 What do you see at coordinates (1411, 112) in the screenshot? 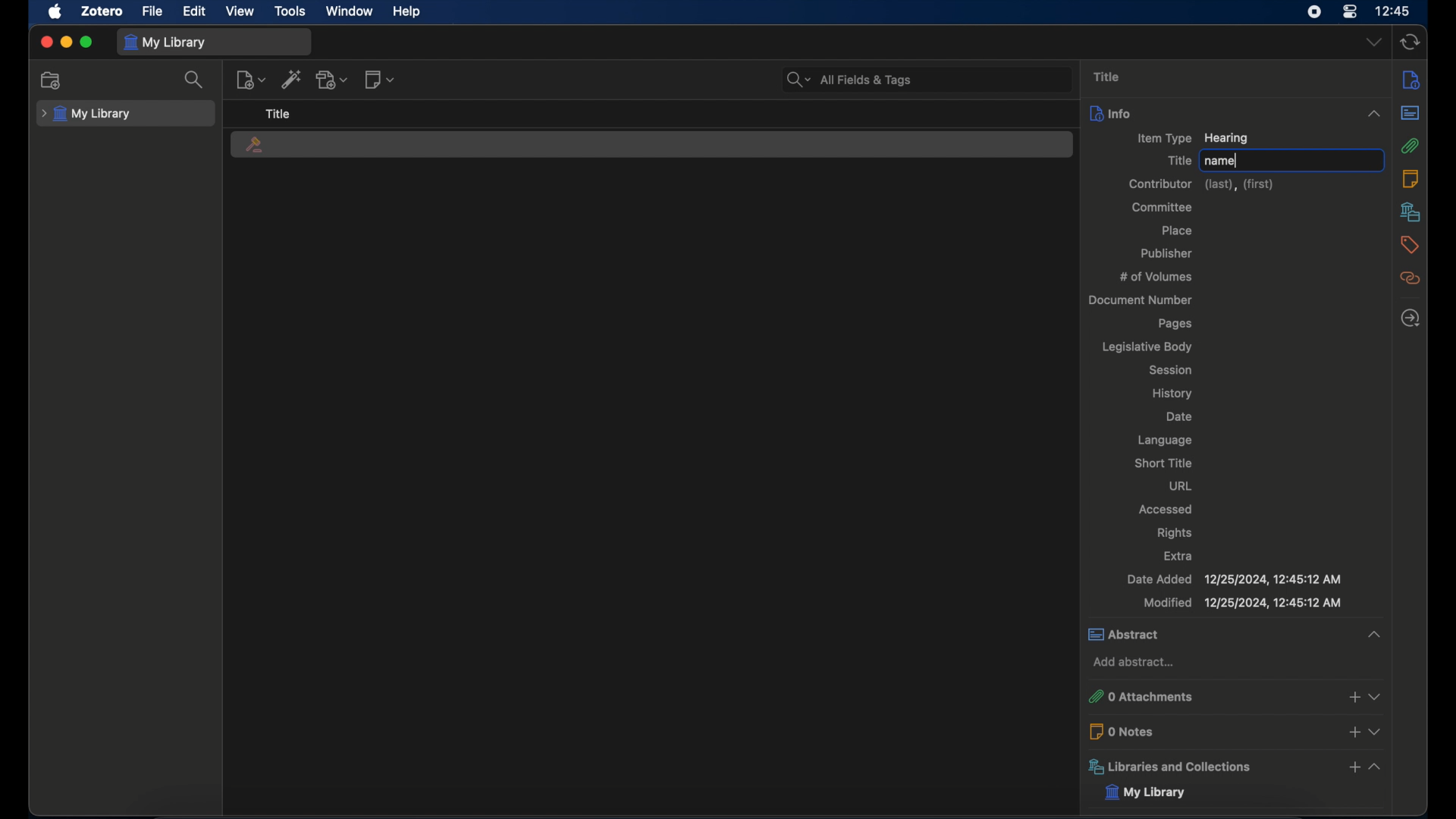
I see `abstract` at bounding box center [1411, 112].